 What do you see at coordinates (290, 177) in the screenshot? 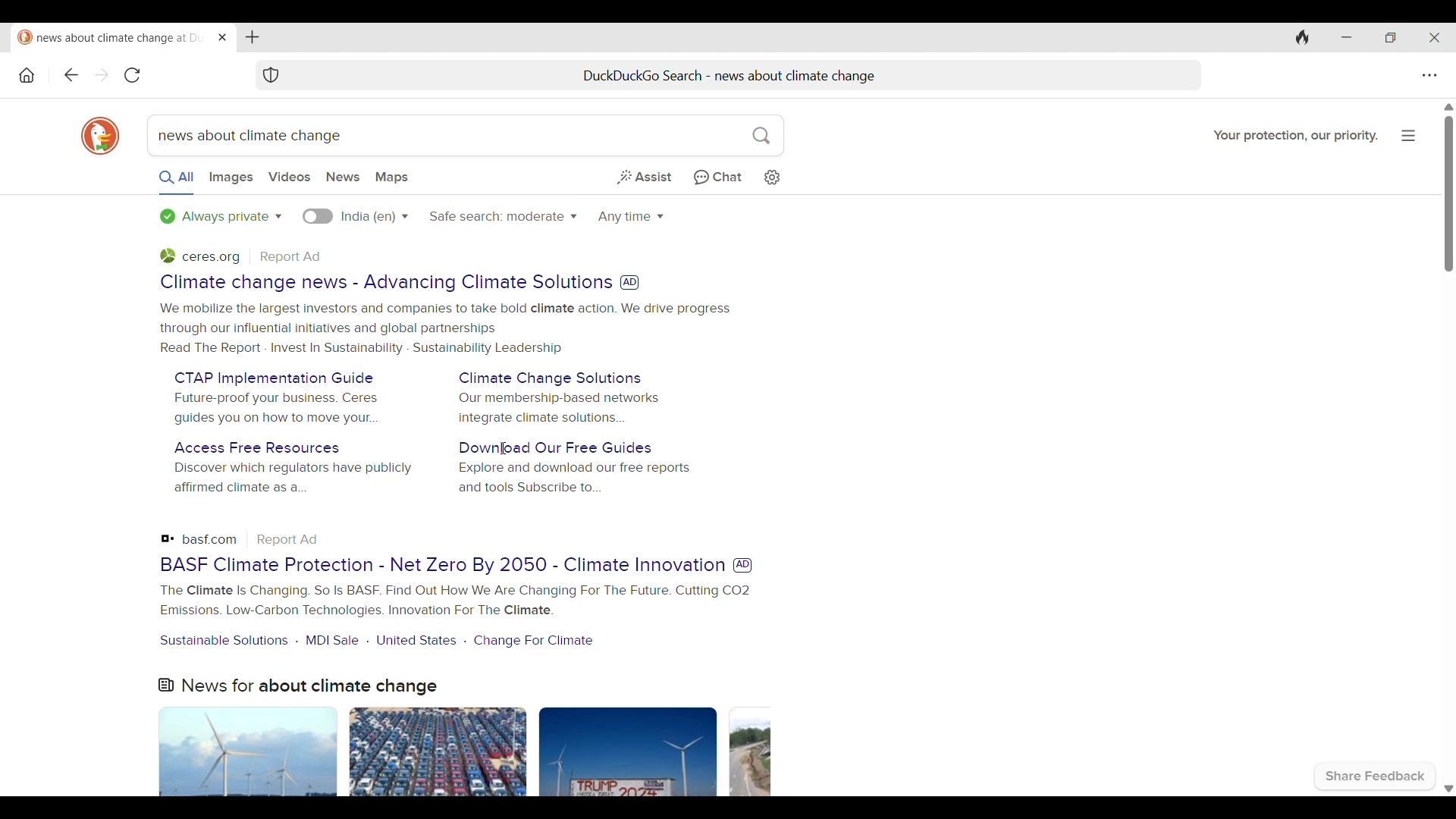
I see `Search videos` at bounding box center [290, 177].